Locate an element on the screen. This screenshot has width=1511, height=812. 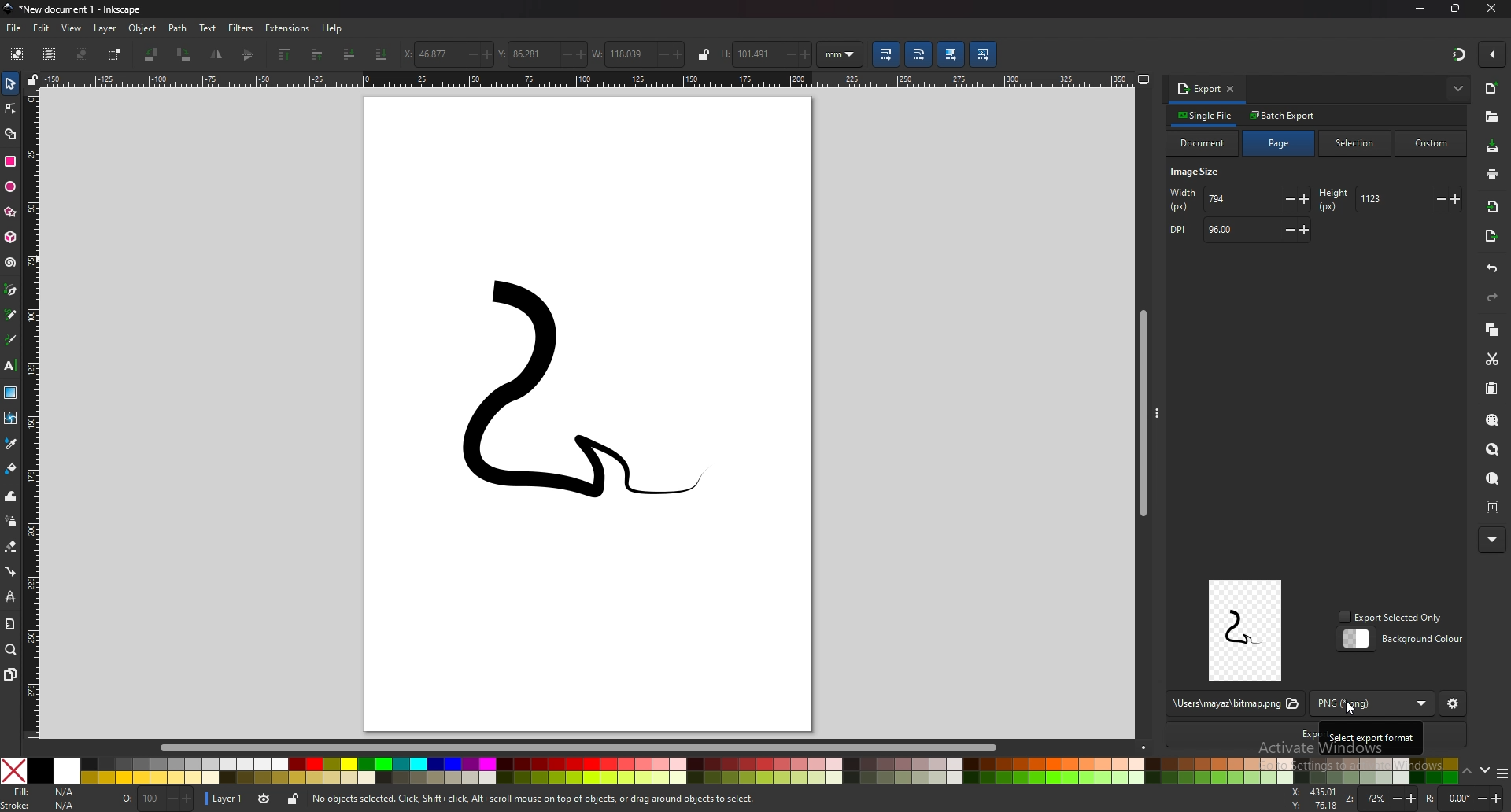
raise selection one step is located at coordinates (316, 55).